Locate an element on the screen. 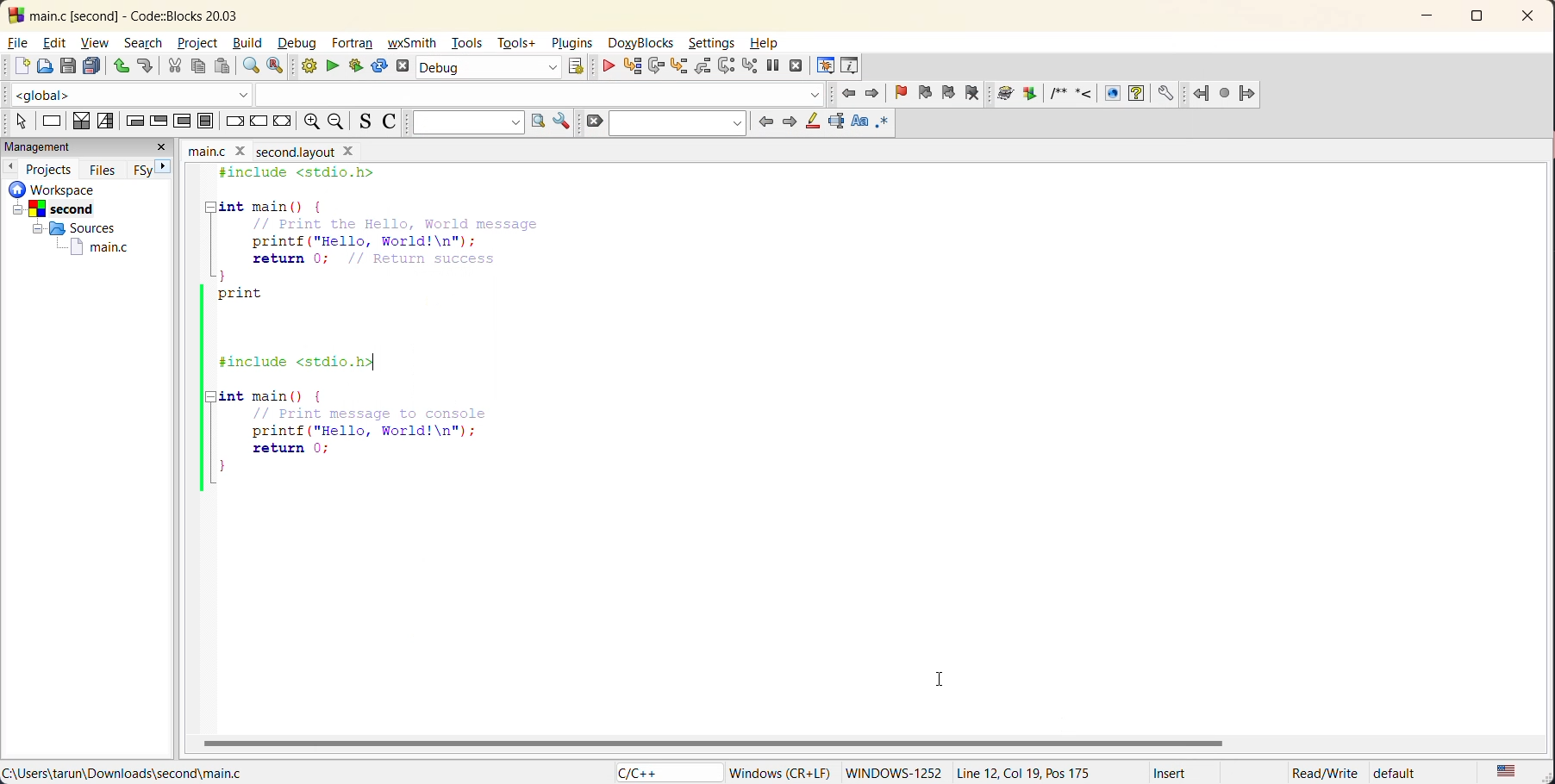 This screenshot has width=1555, height=784. cursor is located at coordinates (936, 683).